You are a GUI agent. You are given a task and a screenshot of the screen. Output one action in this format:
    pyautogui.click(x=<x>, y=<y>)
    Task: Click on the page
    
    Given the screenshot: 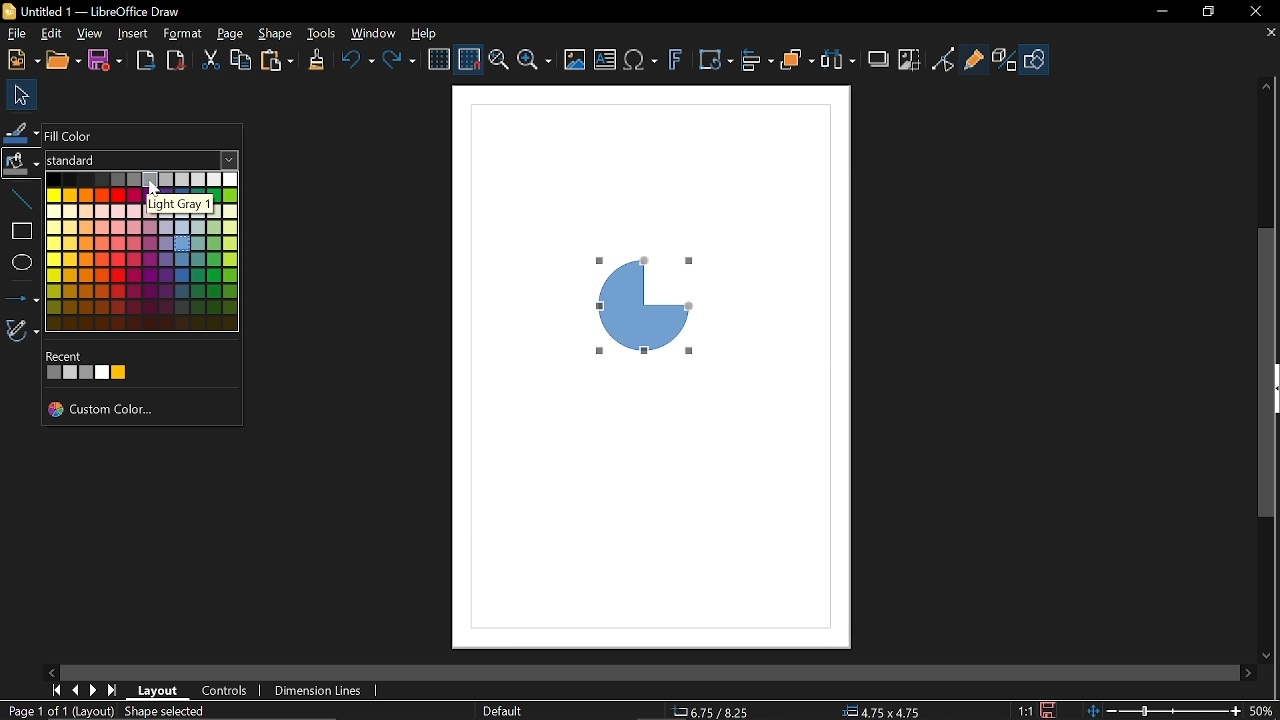 What is the action you would take?
    pyautogui.click(x=230, y=36)
    